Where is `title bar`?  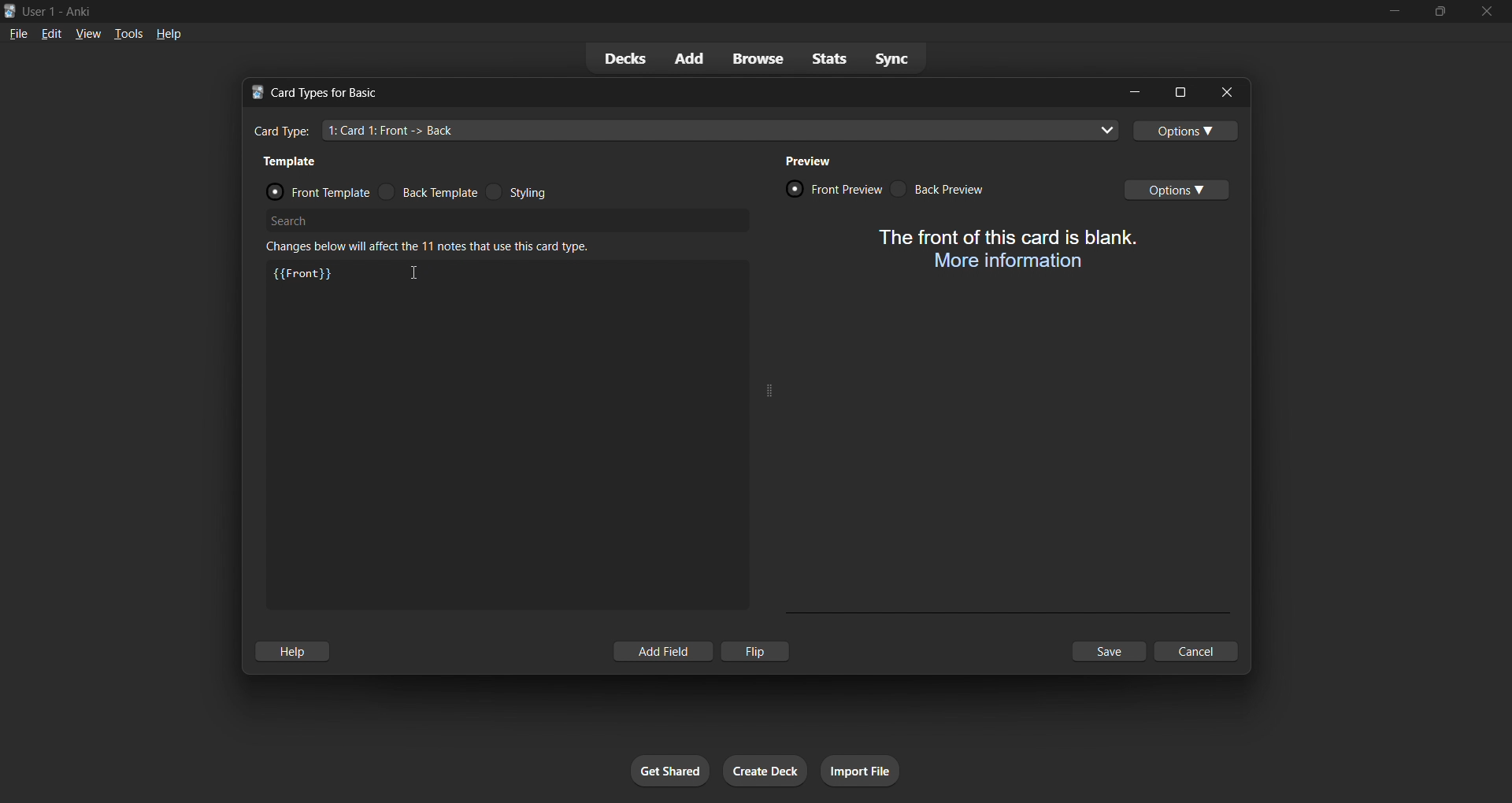 title bar is located at coordinates (672, 93).